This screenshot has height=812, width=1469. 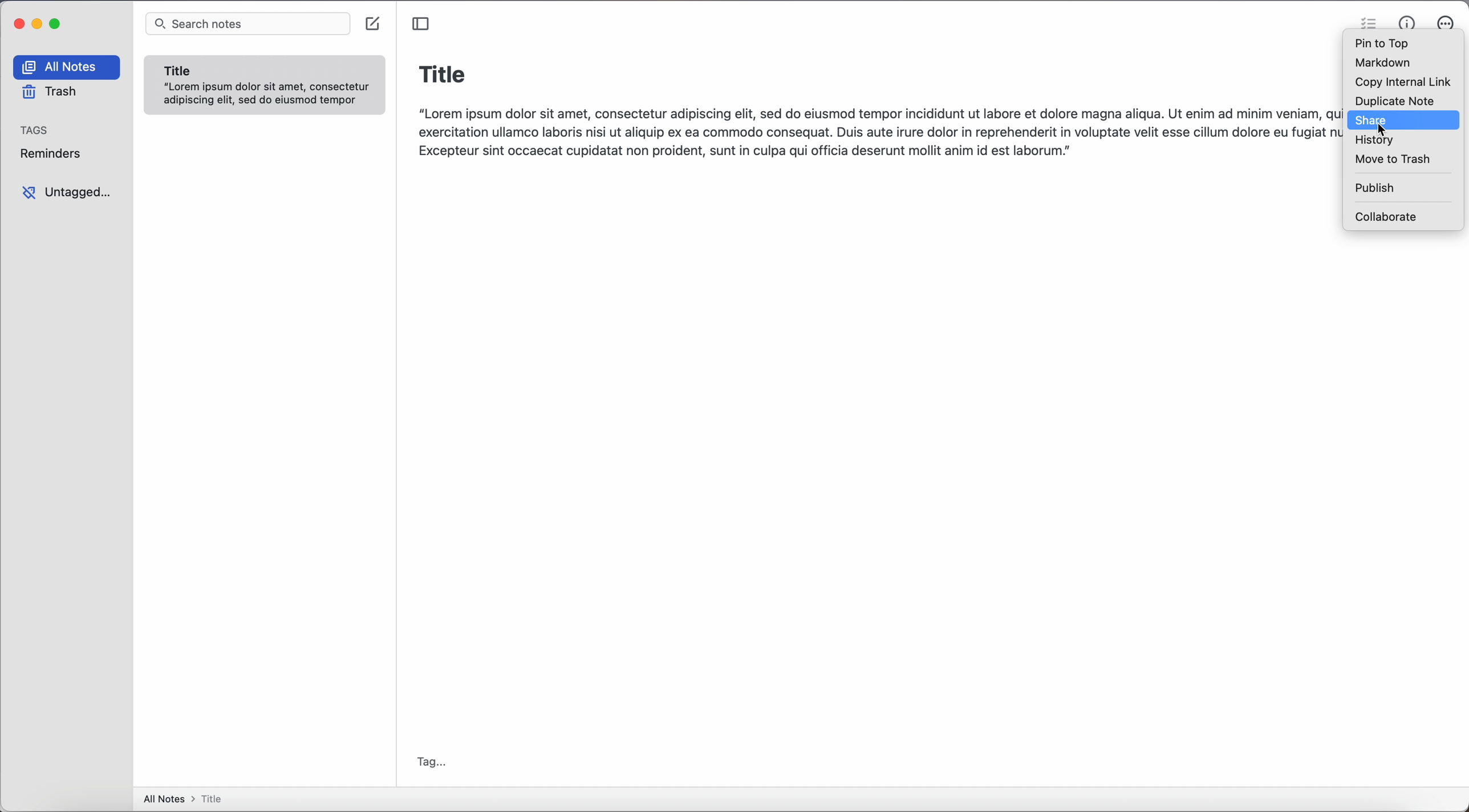 What do you see at coordinates (1385, 215) in the screenshot?
I see `collaborate` at bounding box center [1385, 215].